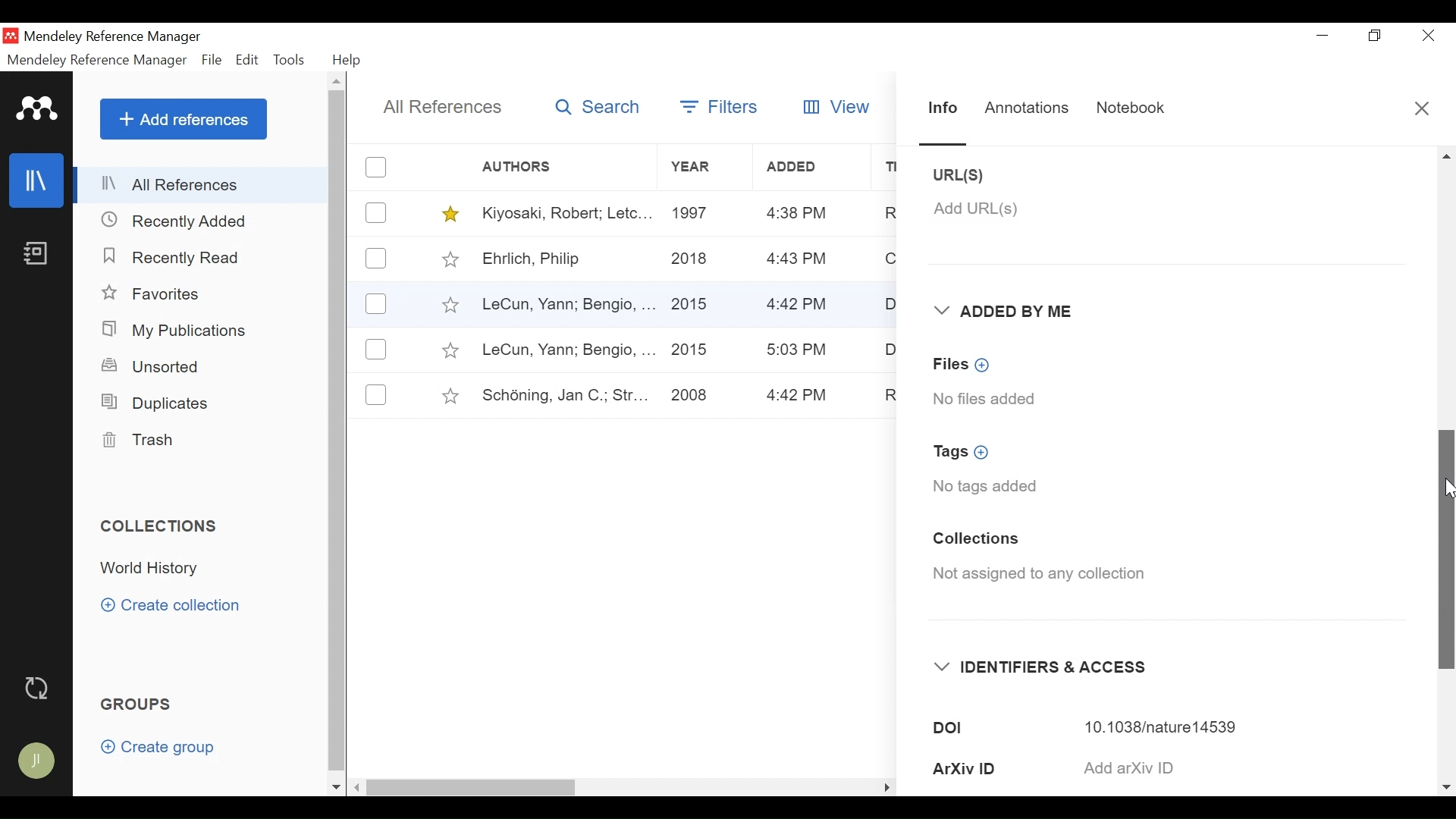  What do you see at coordinates (689, 397) in the screenshot?
I see `2008` at bounding box center [689, 397].